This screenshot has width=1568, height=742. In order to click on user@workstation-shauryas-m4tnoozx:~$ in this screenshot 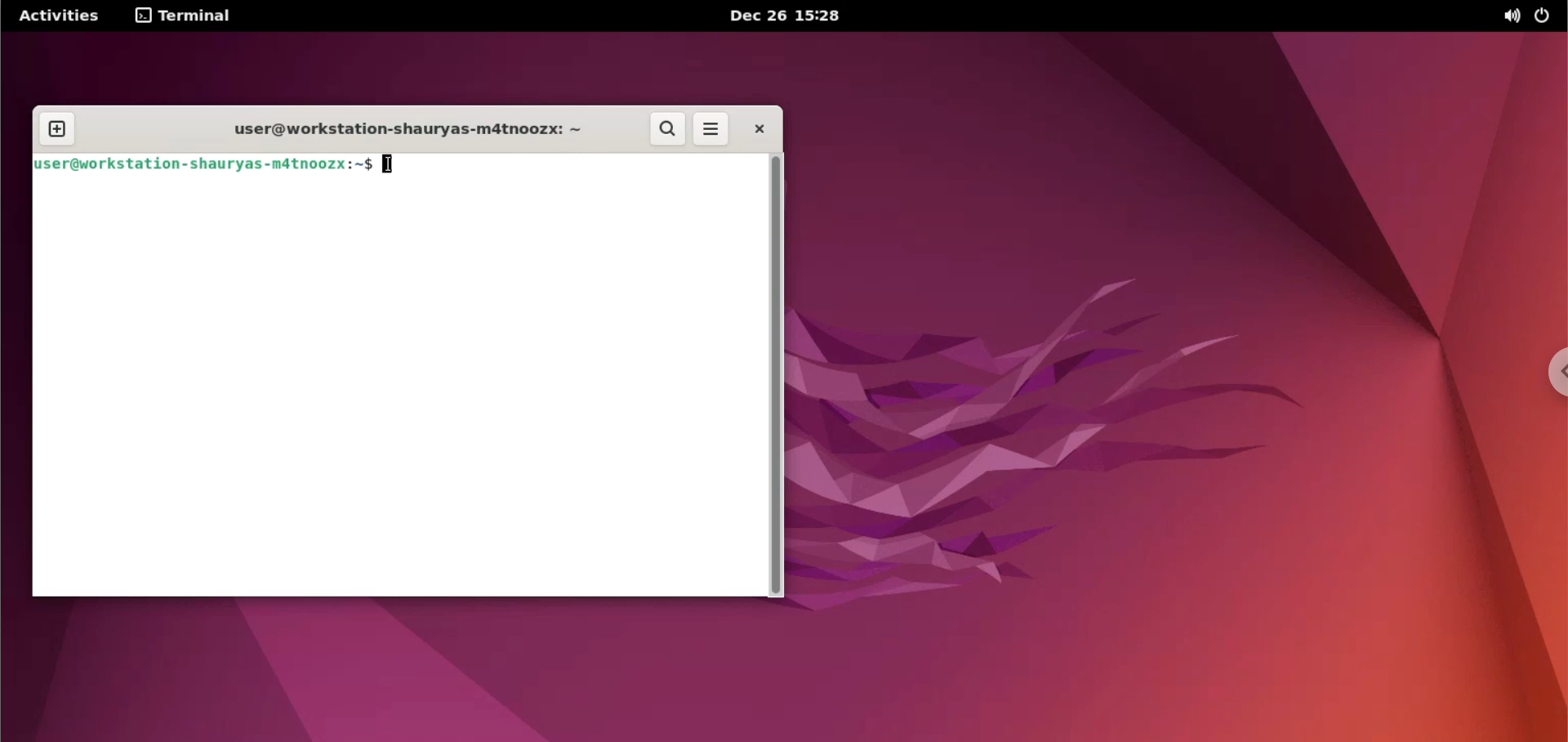, I will do `click(202, 164)`.